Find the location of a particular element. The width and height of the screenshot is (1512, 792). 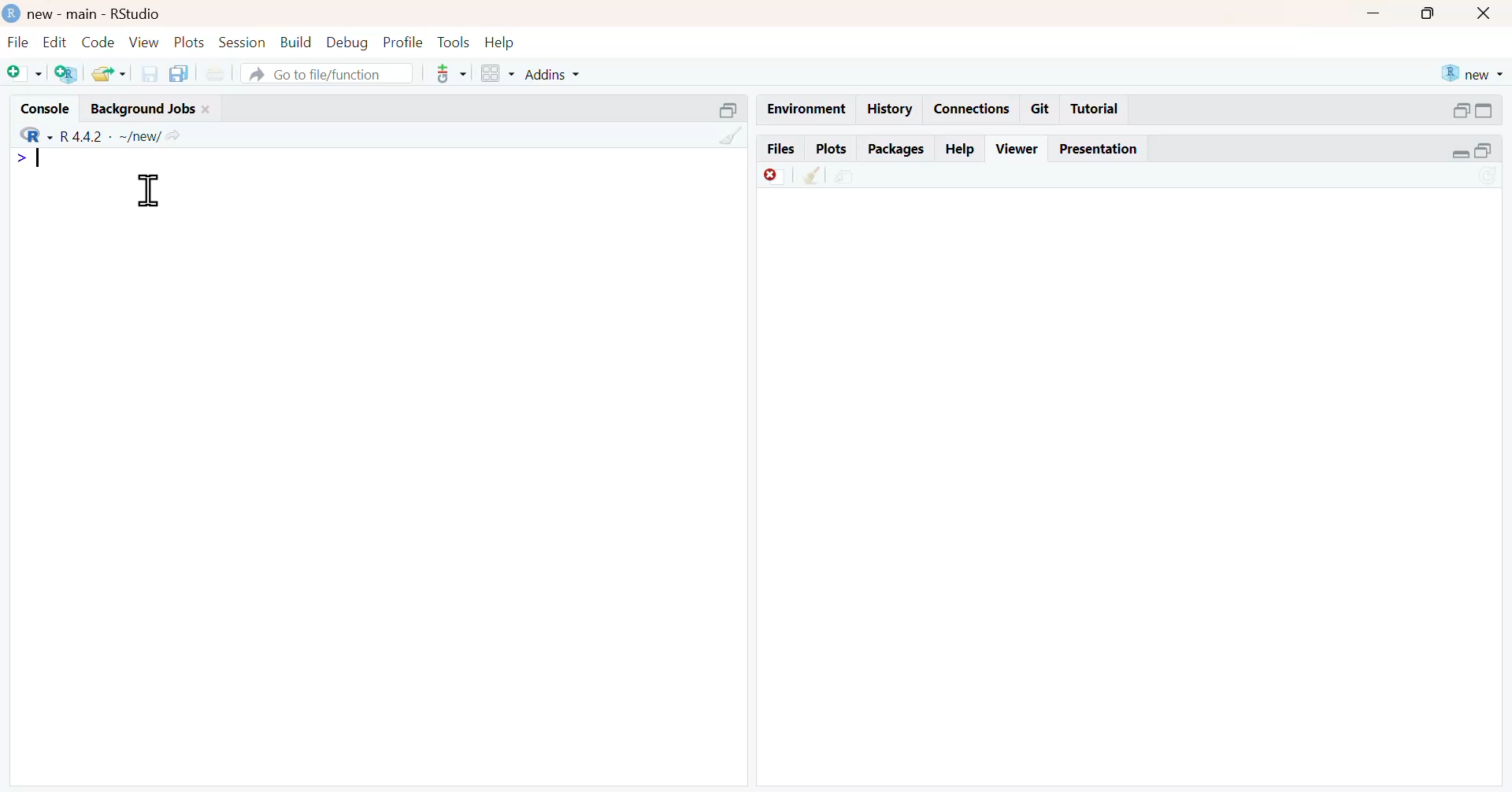

minimize is located at coordinates (1458, 155).